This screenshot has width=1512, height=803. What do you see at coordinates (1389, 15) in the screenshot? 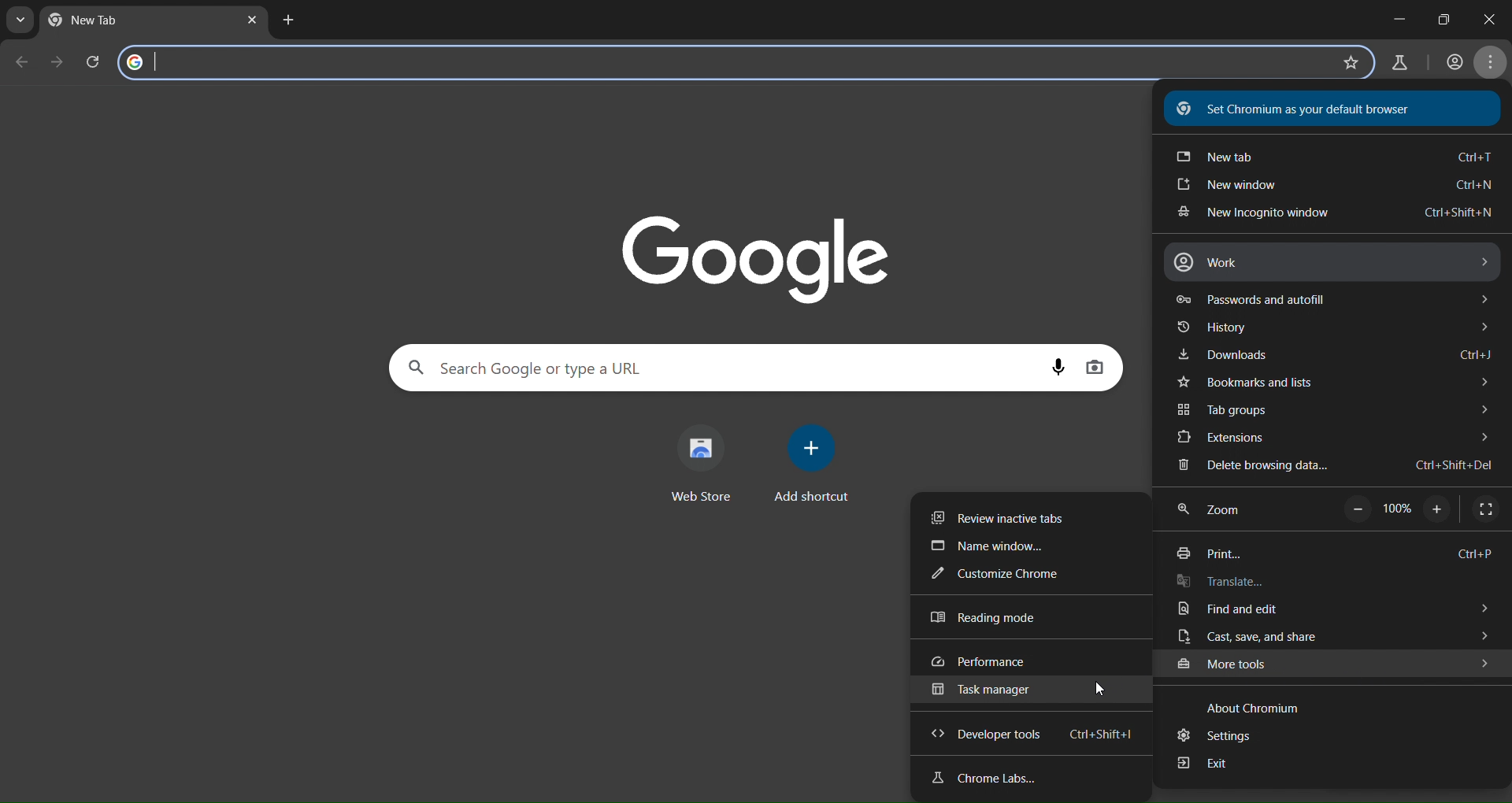
I see `minimize` at bounding box center [1389, 15].